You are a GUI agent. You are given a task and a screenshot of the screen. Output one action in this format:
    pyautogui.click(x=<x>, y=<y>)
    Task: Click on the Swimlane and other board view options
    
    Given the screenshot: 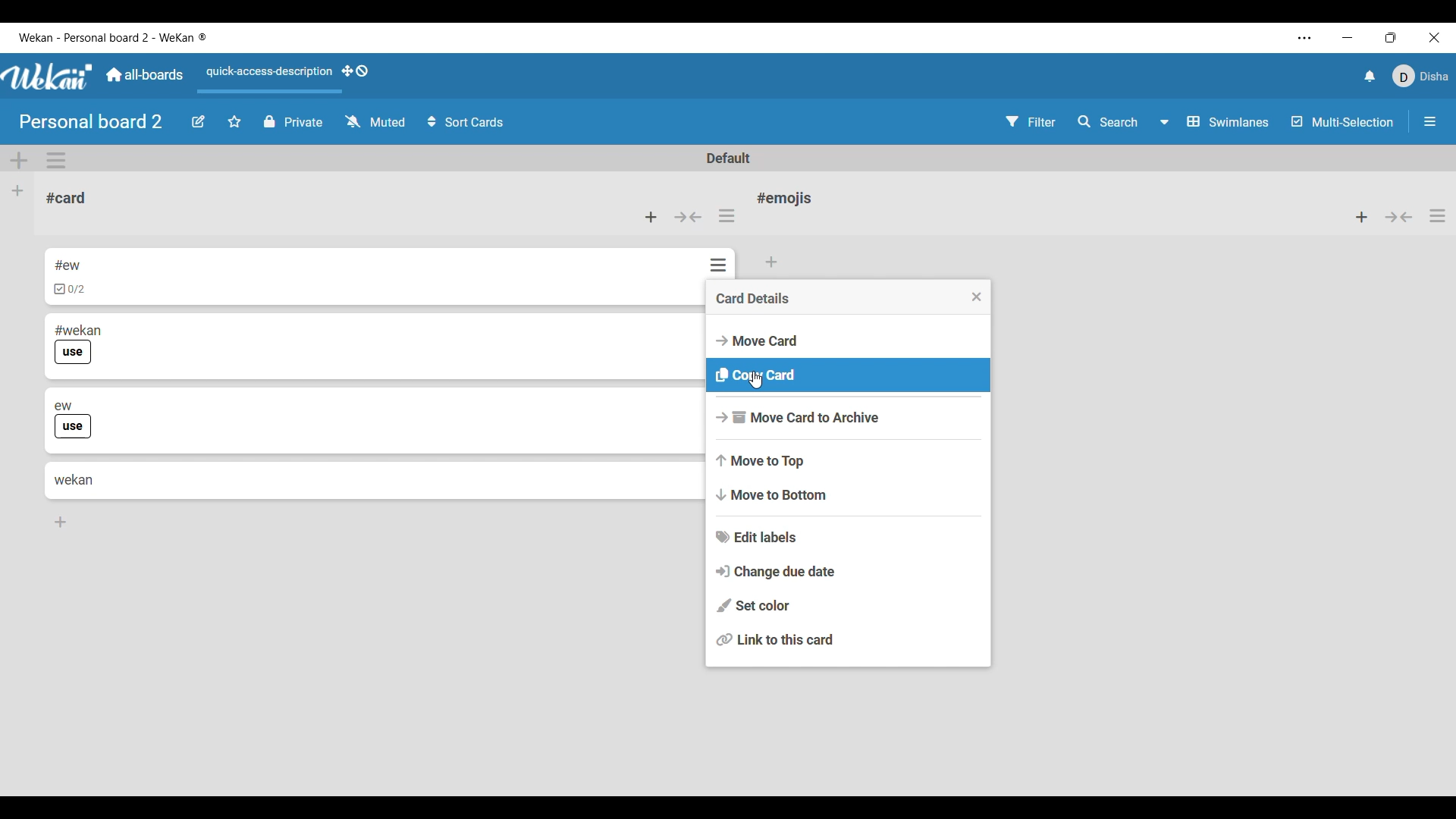 What is the action you would take?
    pyautogui.click(x=1216, y=122)
    